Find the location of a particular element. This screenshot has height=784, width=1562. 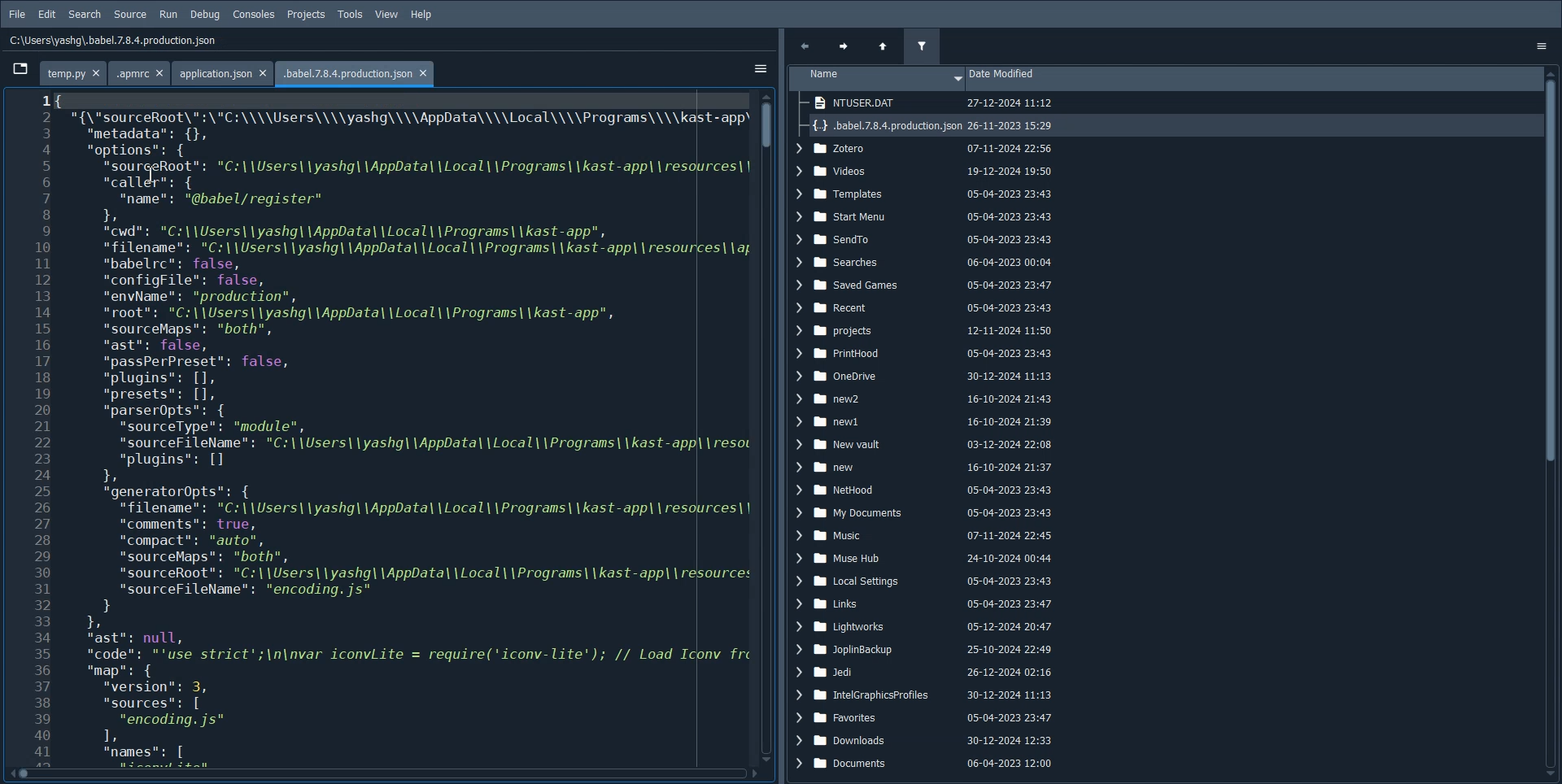

Debug is located at coordinates (205, 15).